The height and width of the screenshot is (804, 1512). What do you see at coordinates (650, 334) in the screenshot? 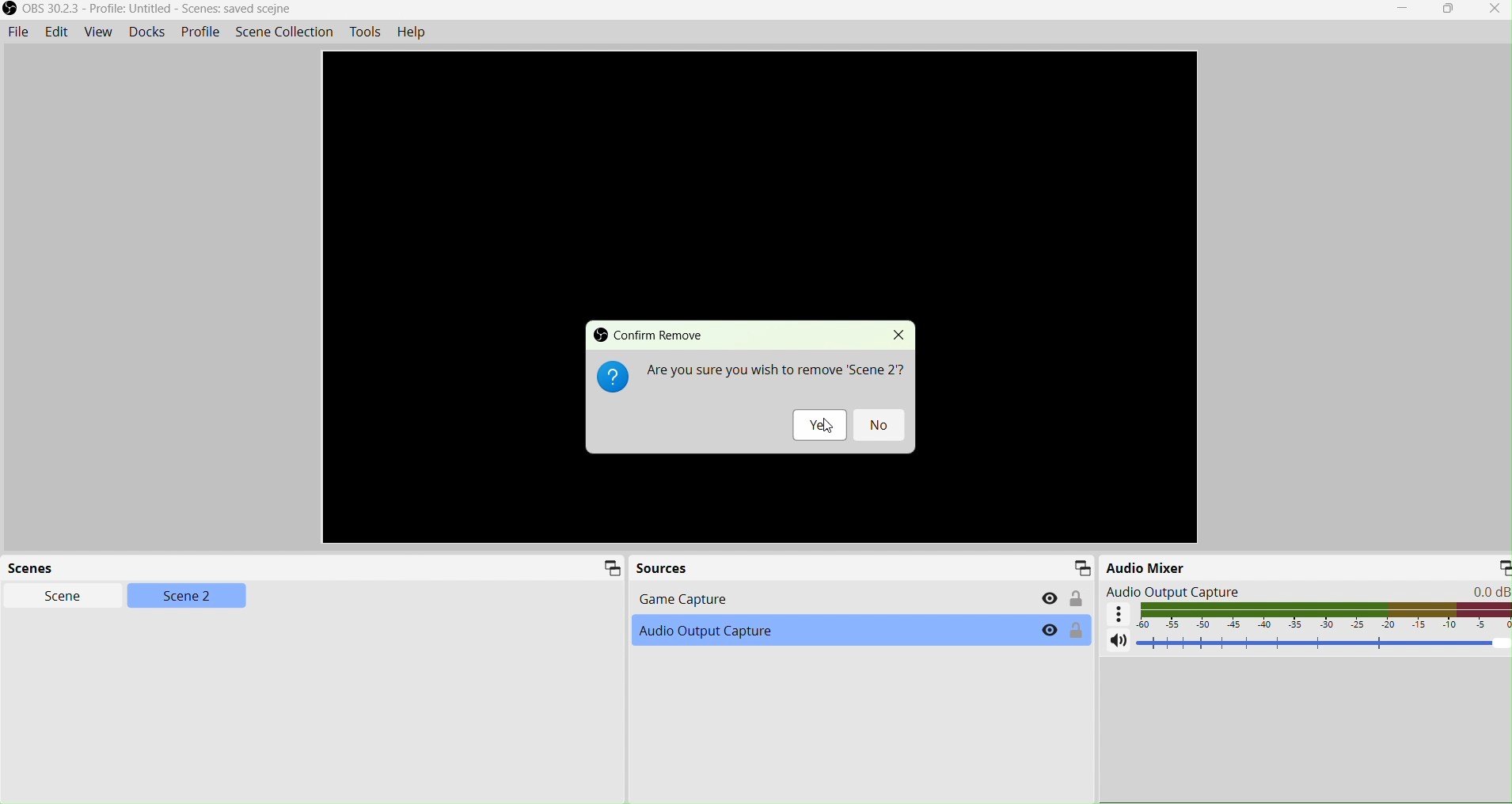
I see `Confirm remove` at bounding box center [650, 334].